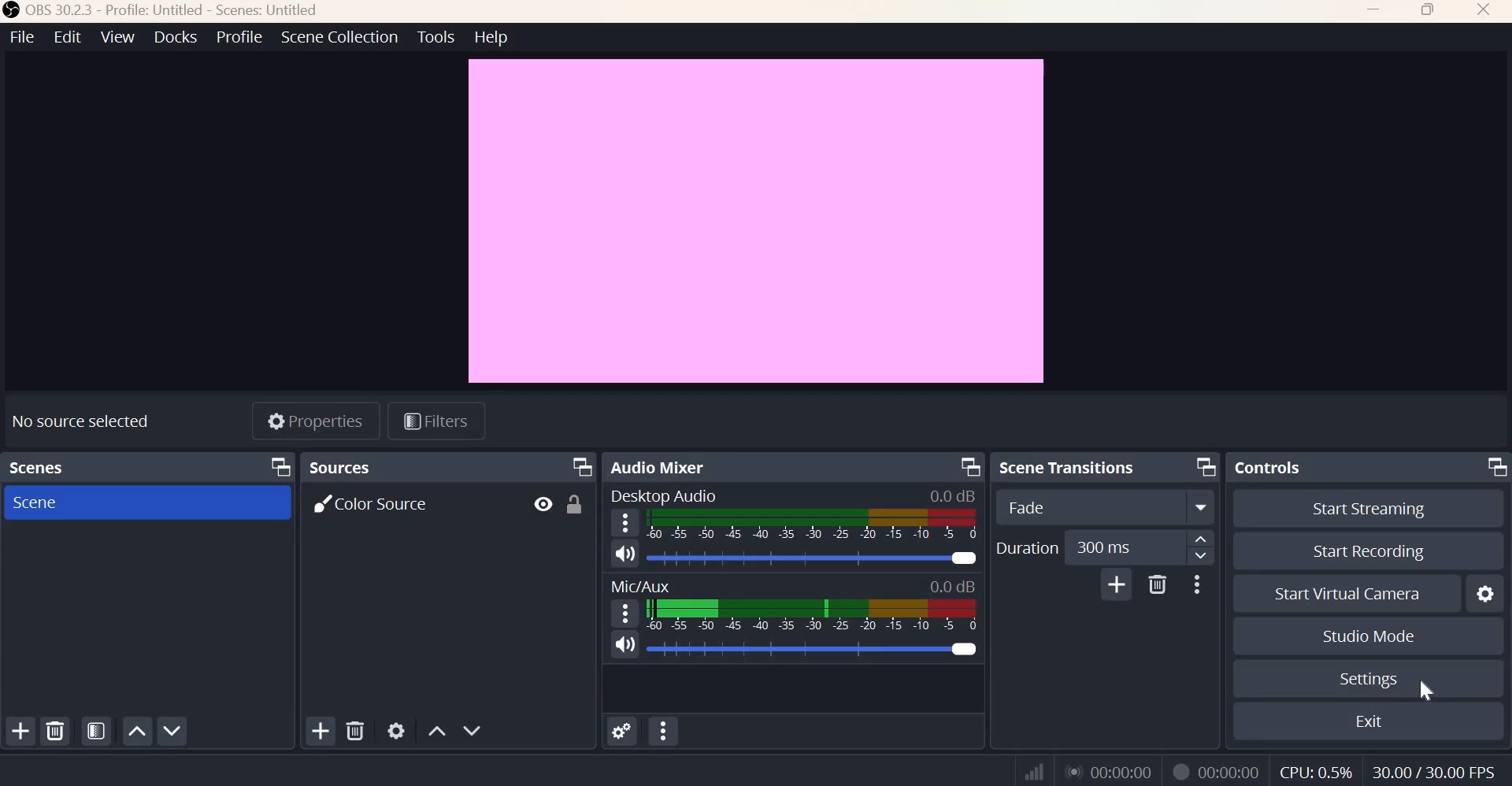  I want to click on Speaker Icon, so click(625, 553).